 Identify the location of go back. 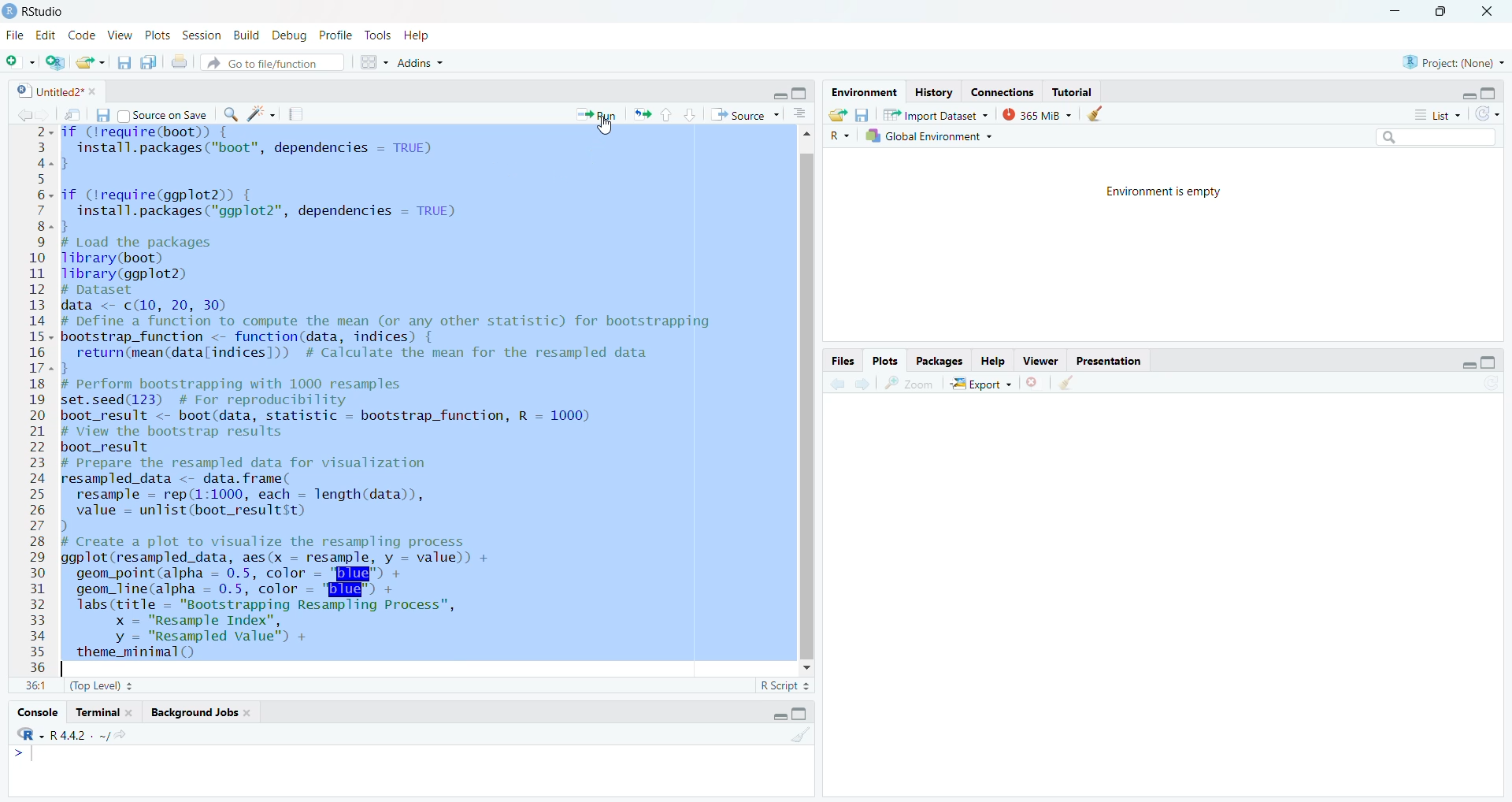
(837, 383).